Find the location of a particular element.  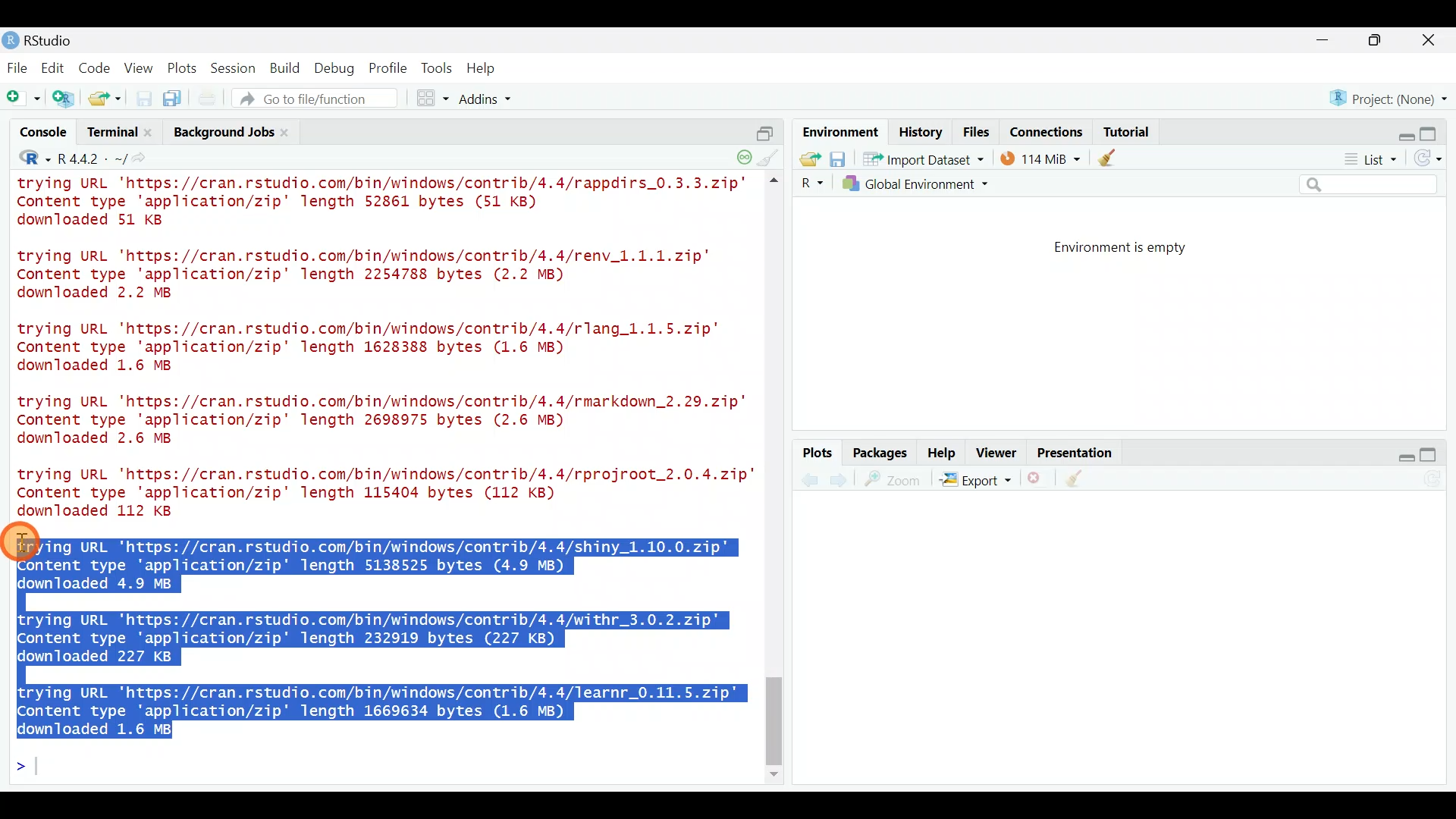

Go to file/function is located at coordinates (322, 99).